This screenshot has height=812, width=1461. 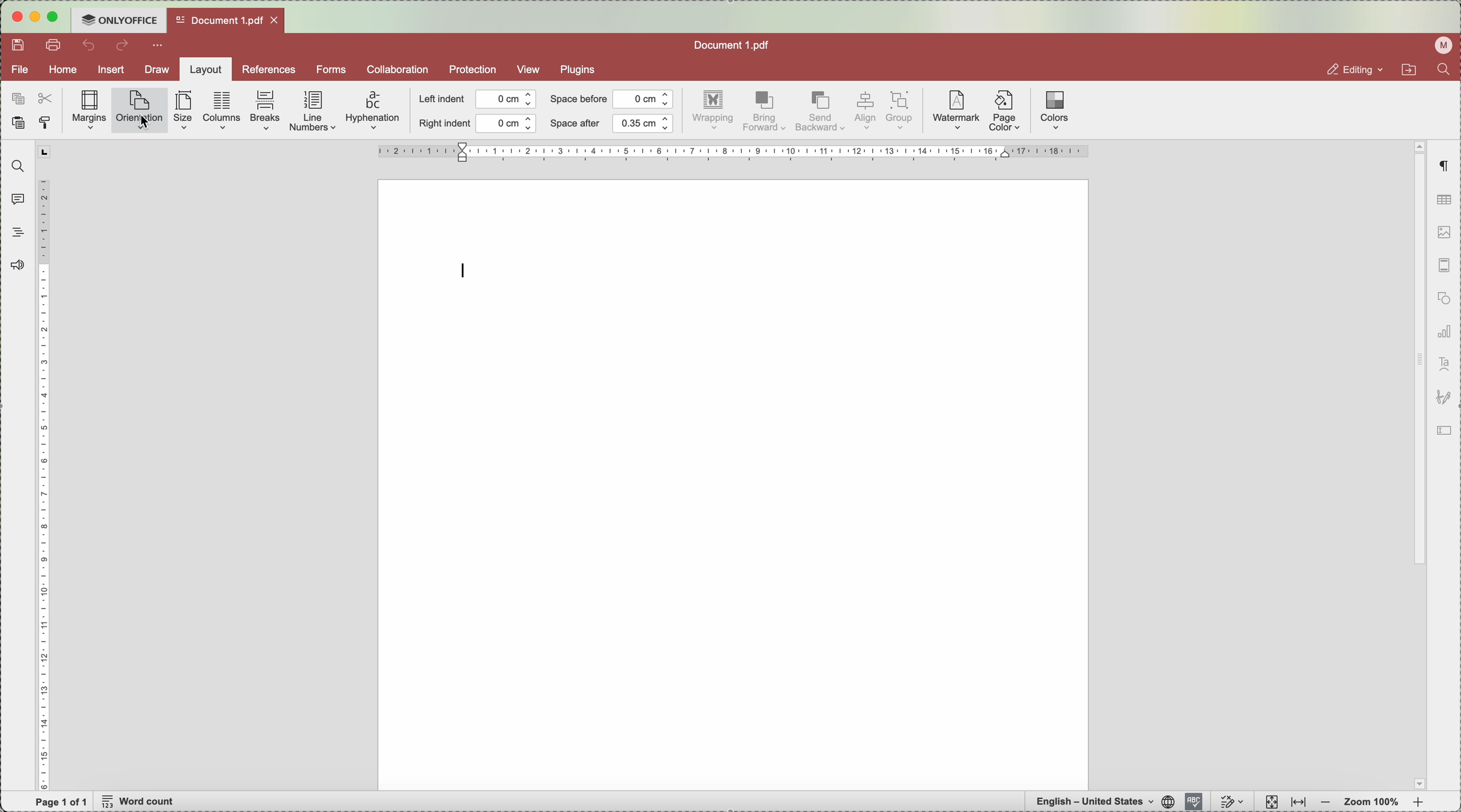 What do you see at coordinates (1442, 301) in the screenshot?
I see `shape settings` at bounding box center [1442, 301].